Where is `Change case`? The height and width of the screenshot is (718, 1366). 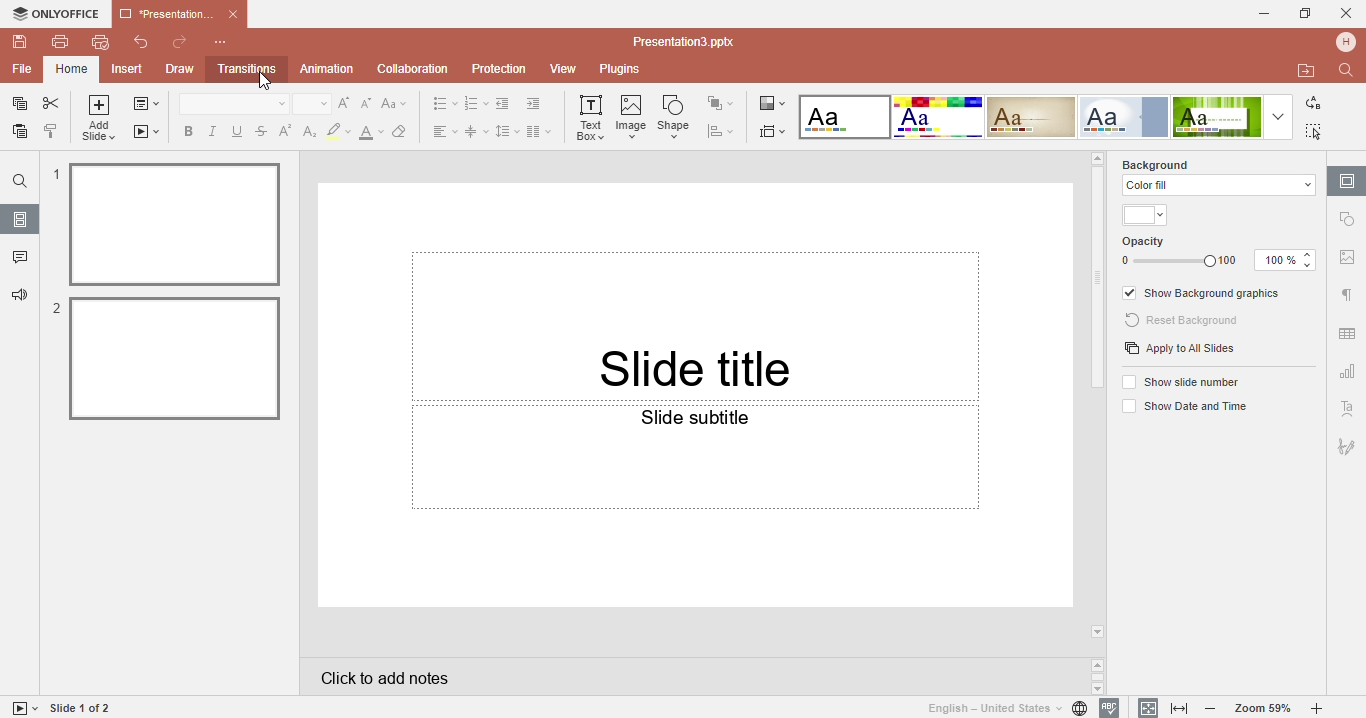 Change case is located at coordinates (398, 103).